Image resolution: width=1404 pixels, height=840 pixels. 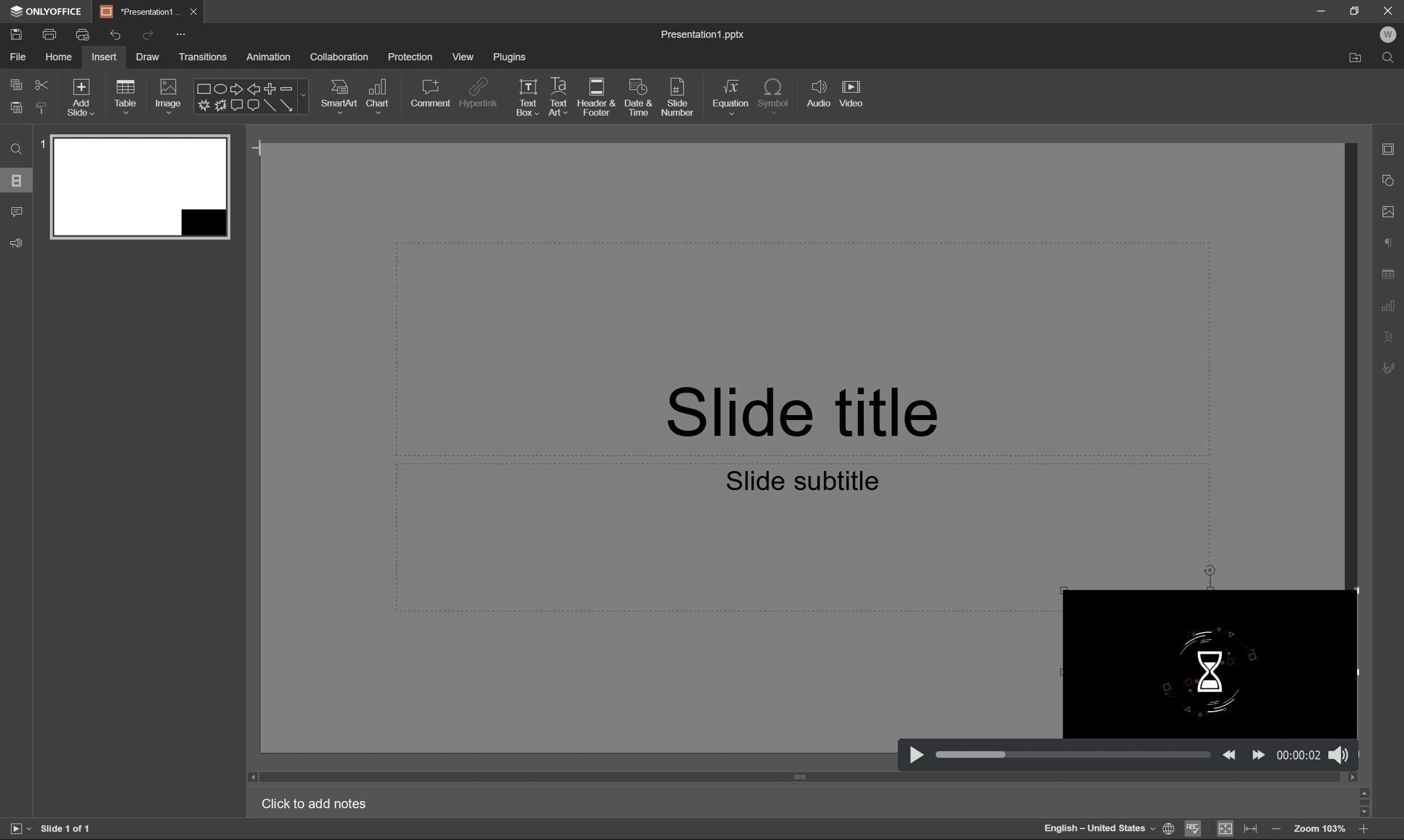 What do you see at coordinates (43, 83) in the screenshot?
I see `cut` at bounding box center [43, 83].